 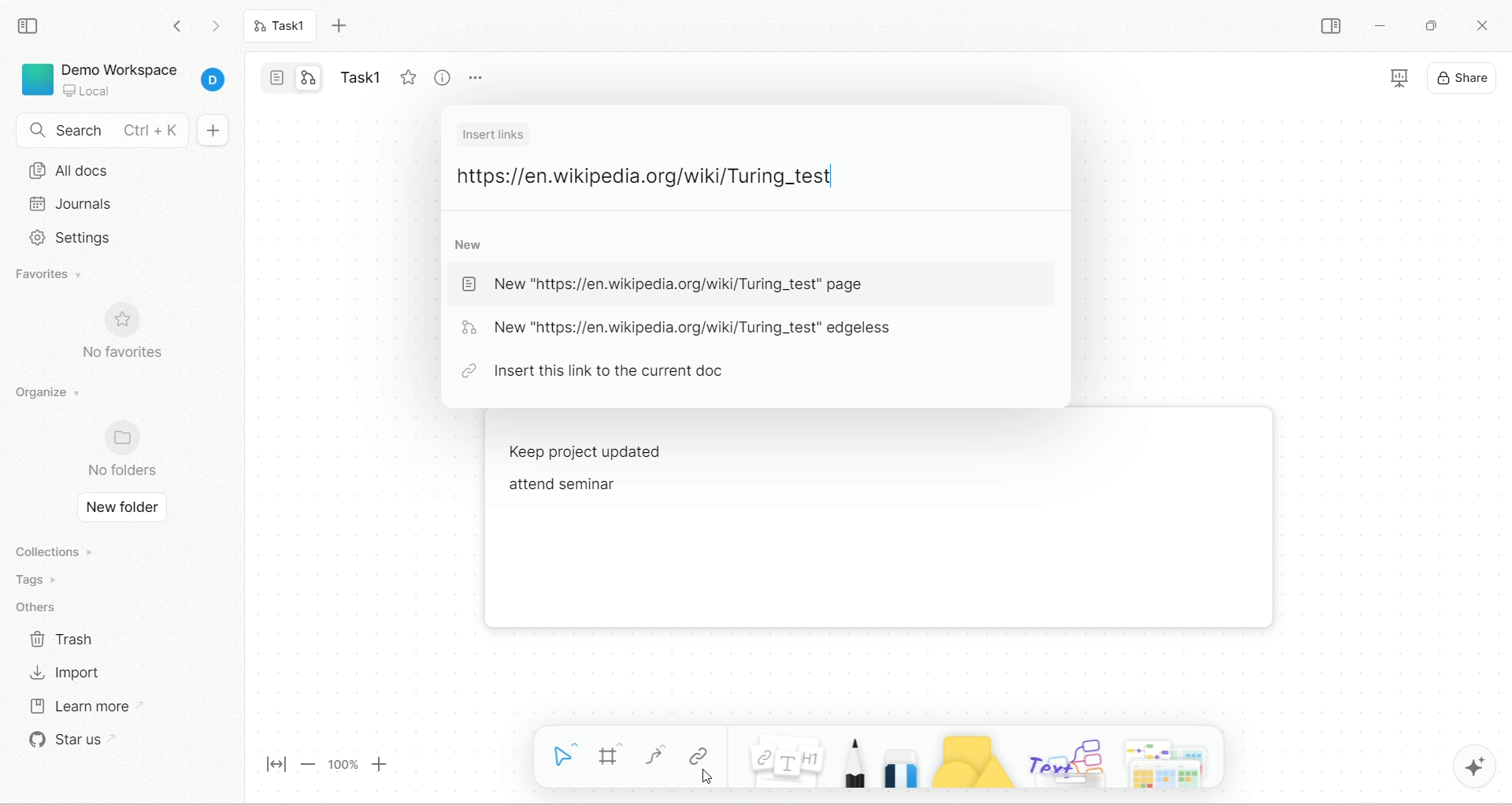 I want to click on eraser, so click(x=900, y=768).